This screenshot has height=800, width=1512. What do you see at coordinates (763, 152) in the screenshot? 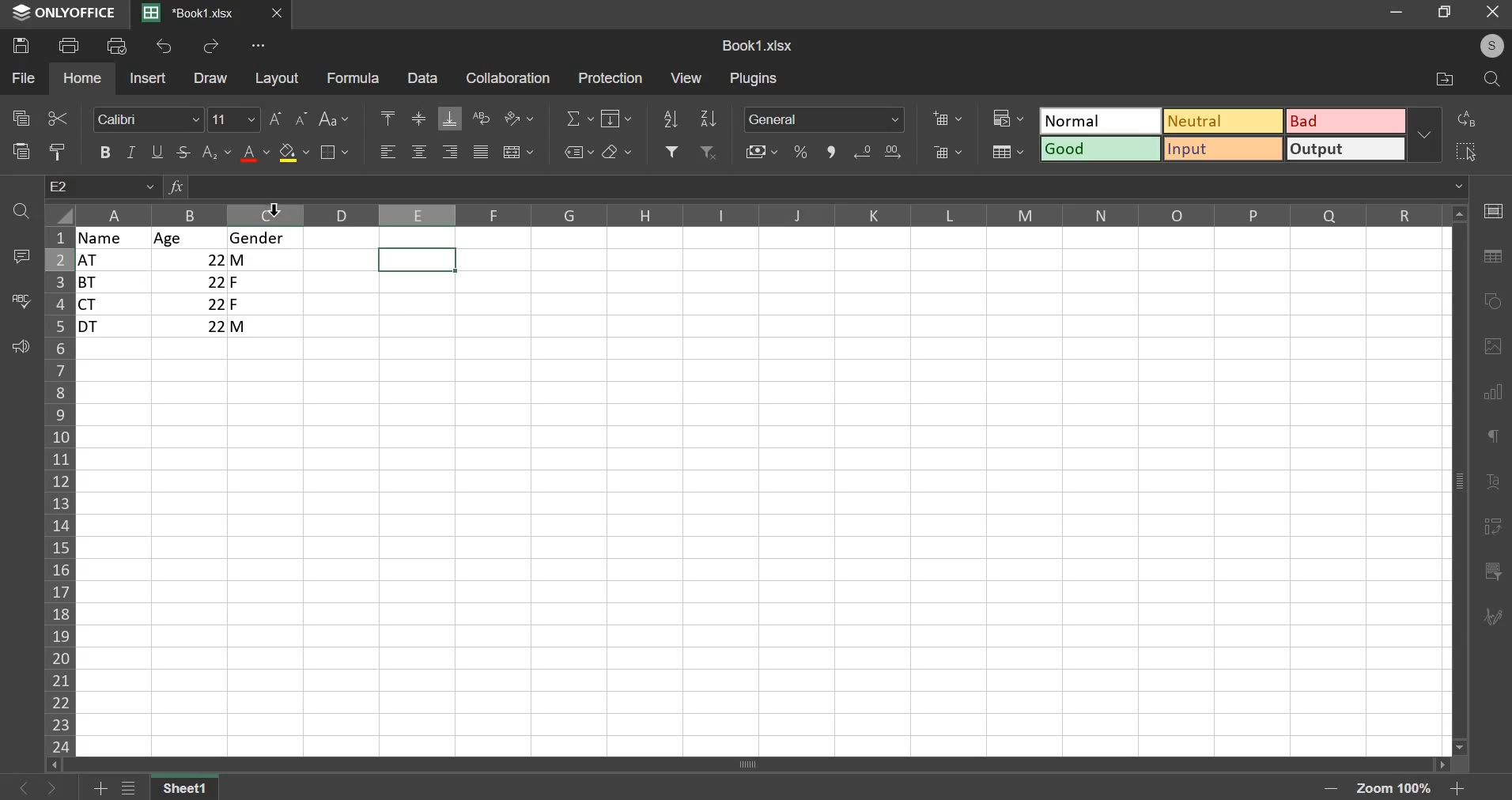
I see `accounting style` at bounding box center [763, 152].